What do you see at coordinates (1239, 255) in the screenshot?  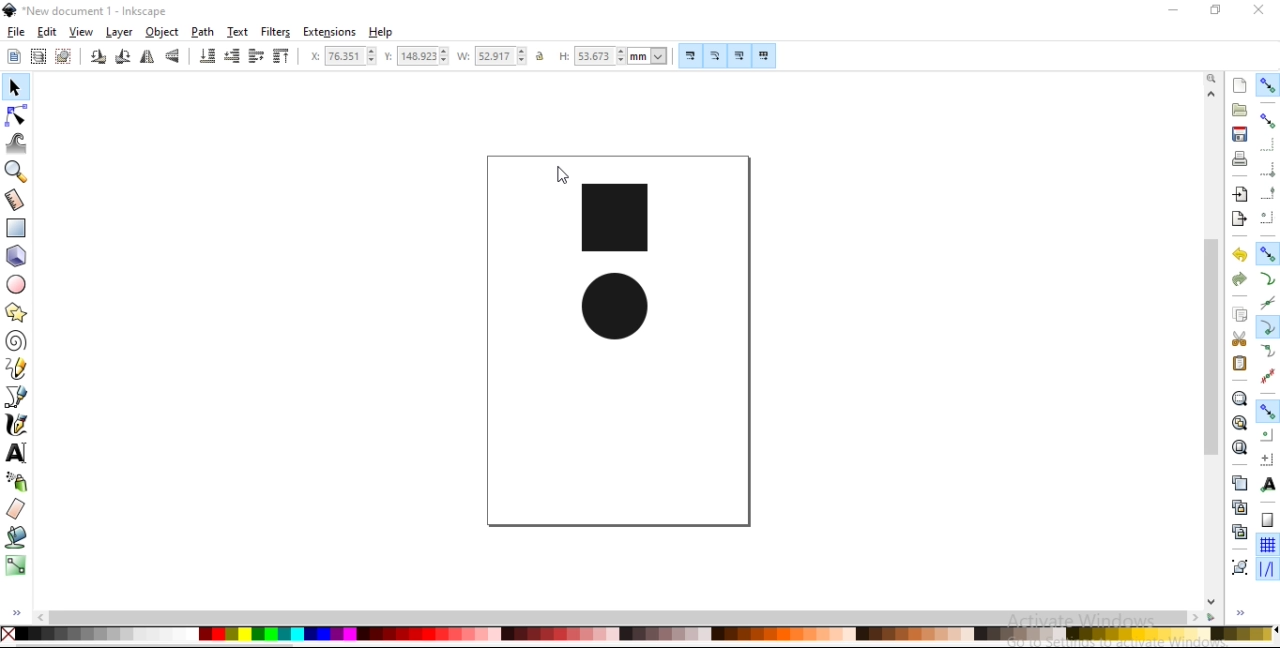 I see `undo` at bounding box center [1239, 255].